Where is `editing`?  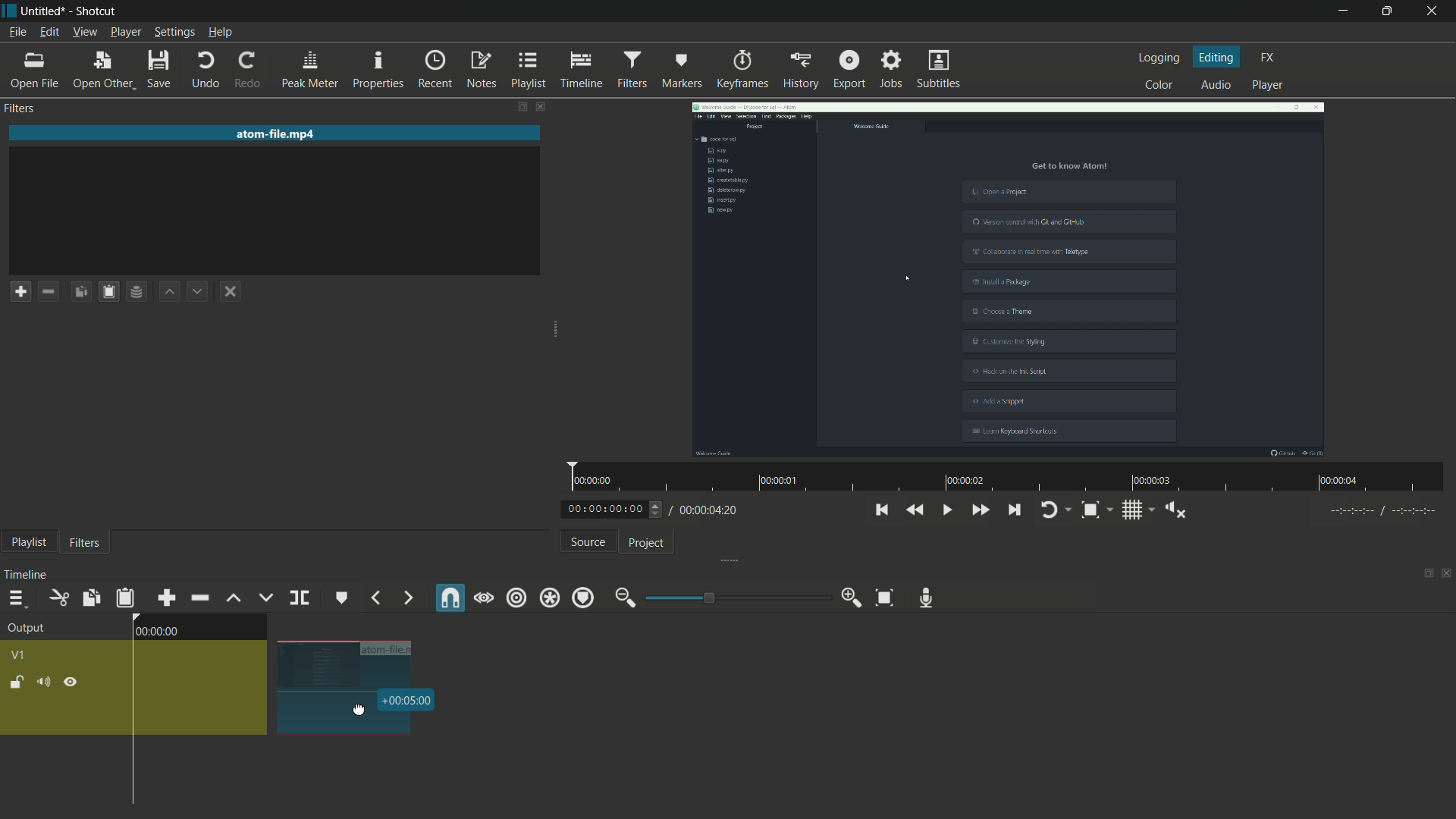 editing is located at coordinates (1218, 57).